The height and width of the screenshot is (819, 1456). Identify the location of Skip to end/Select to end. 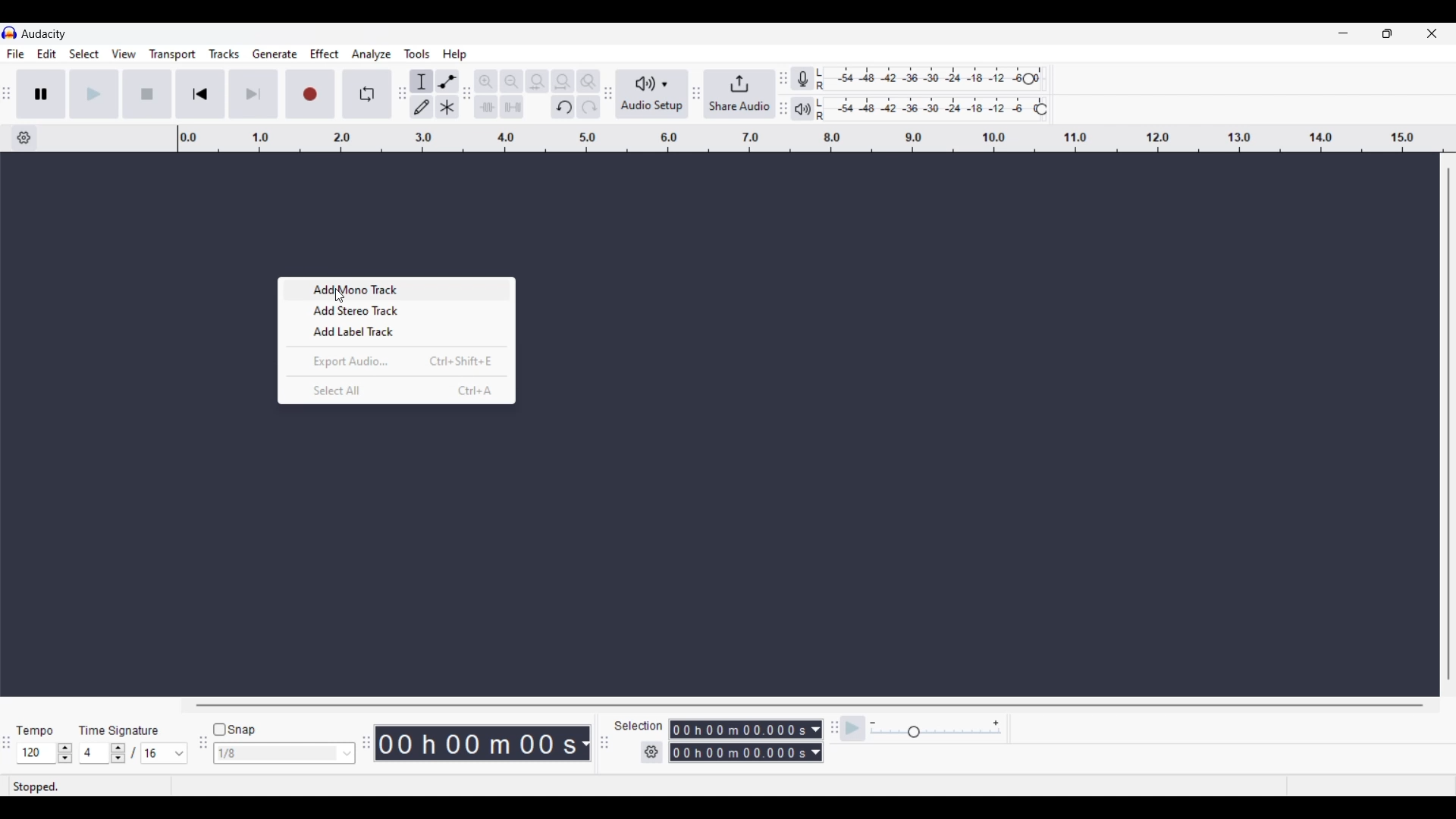
(253, 94).